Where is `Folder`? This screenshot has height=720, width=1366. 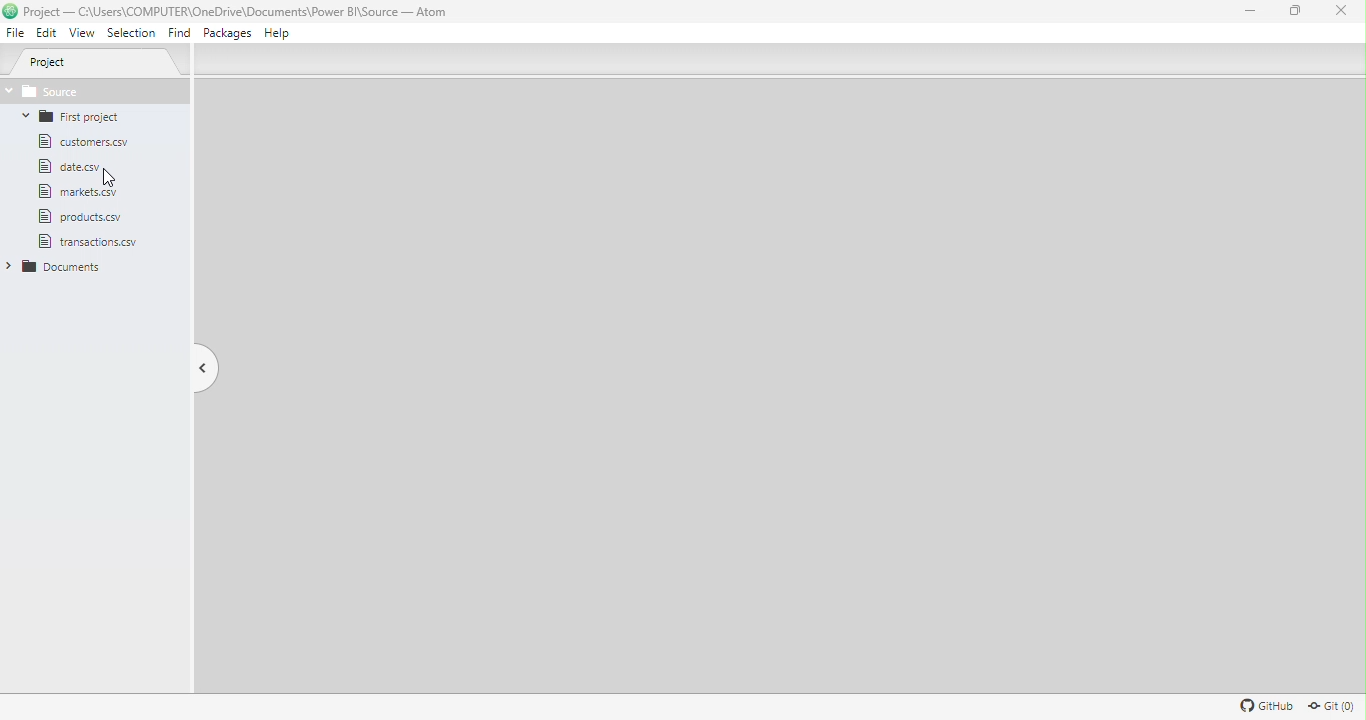 Folder is located at coordinates (79, 116).